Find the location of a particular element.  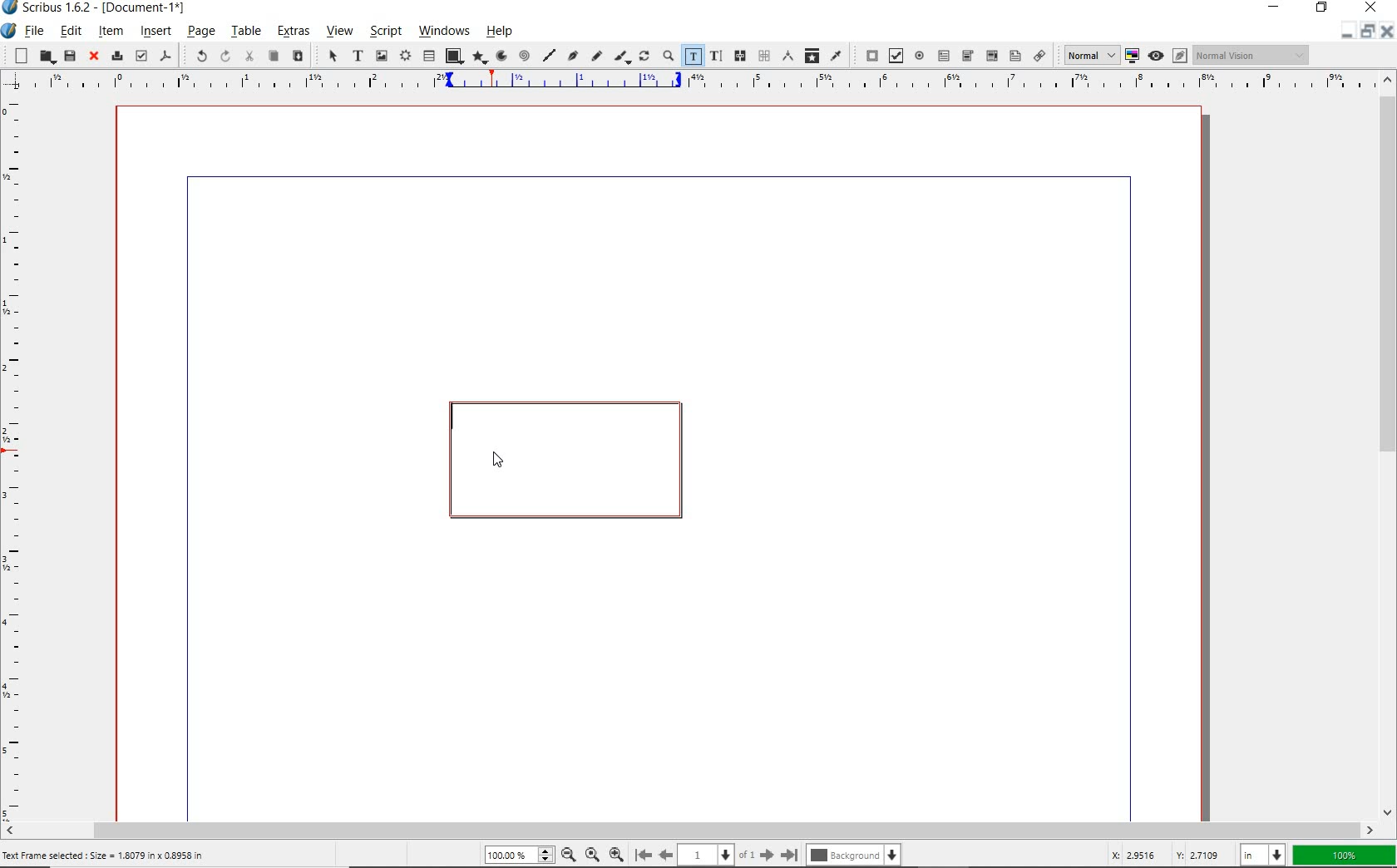

Zoom Out is located at coordinates (570, 856).